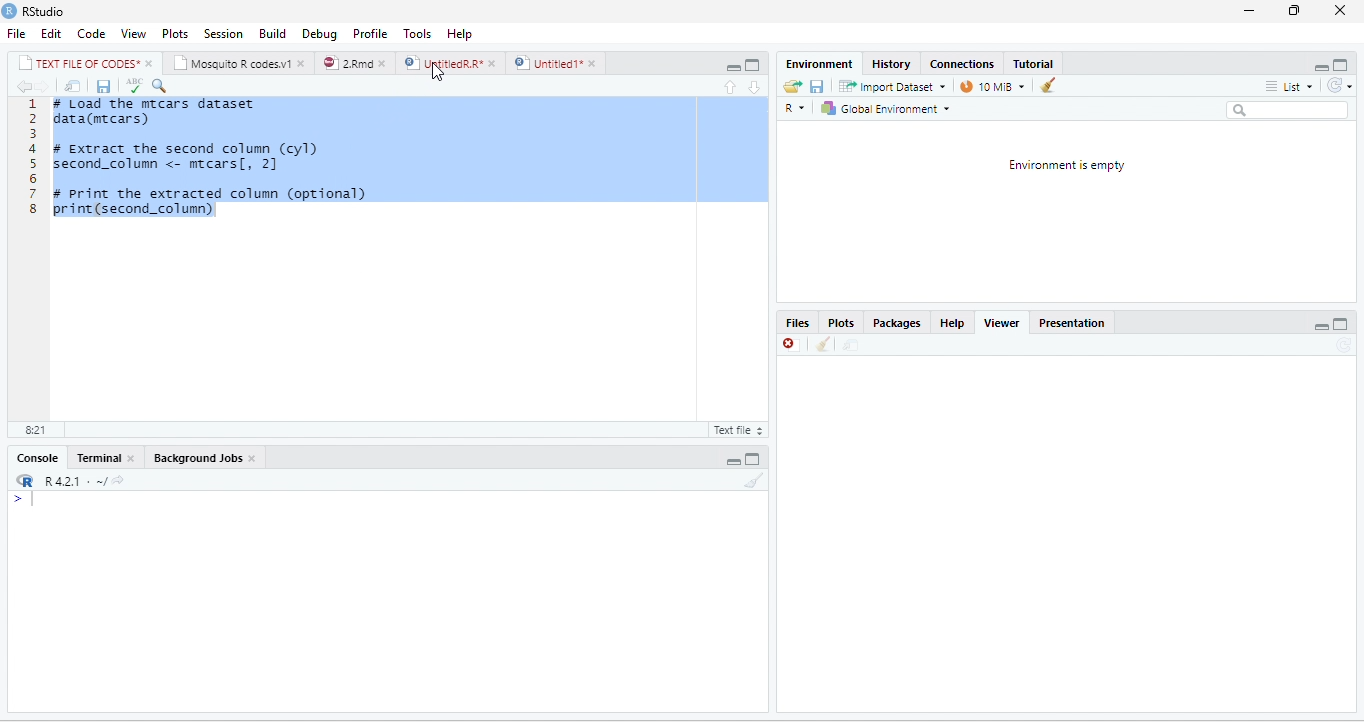 This screenshot has width=1364, height=722. Describe the element at coordinates (195, 457) in the screenshot. I see `‘Background Jobs` at that location.